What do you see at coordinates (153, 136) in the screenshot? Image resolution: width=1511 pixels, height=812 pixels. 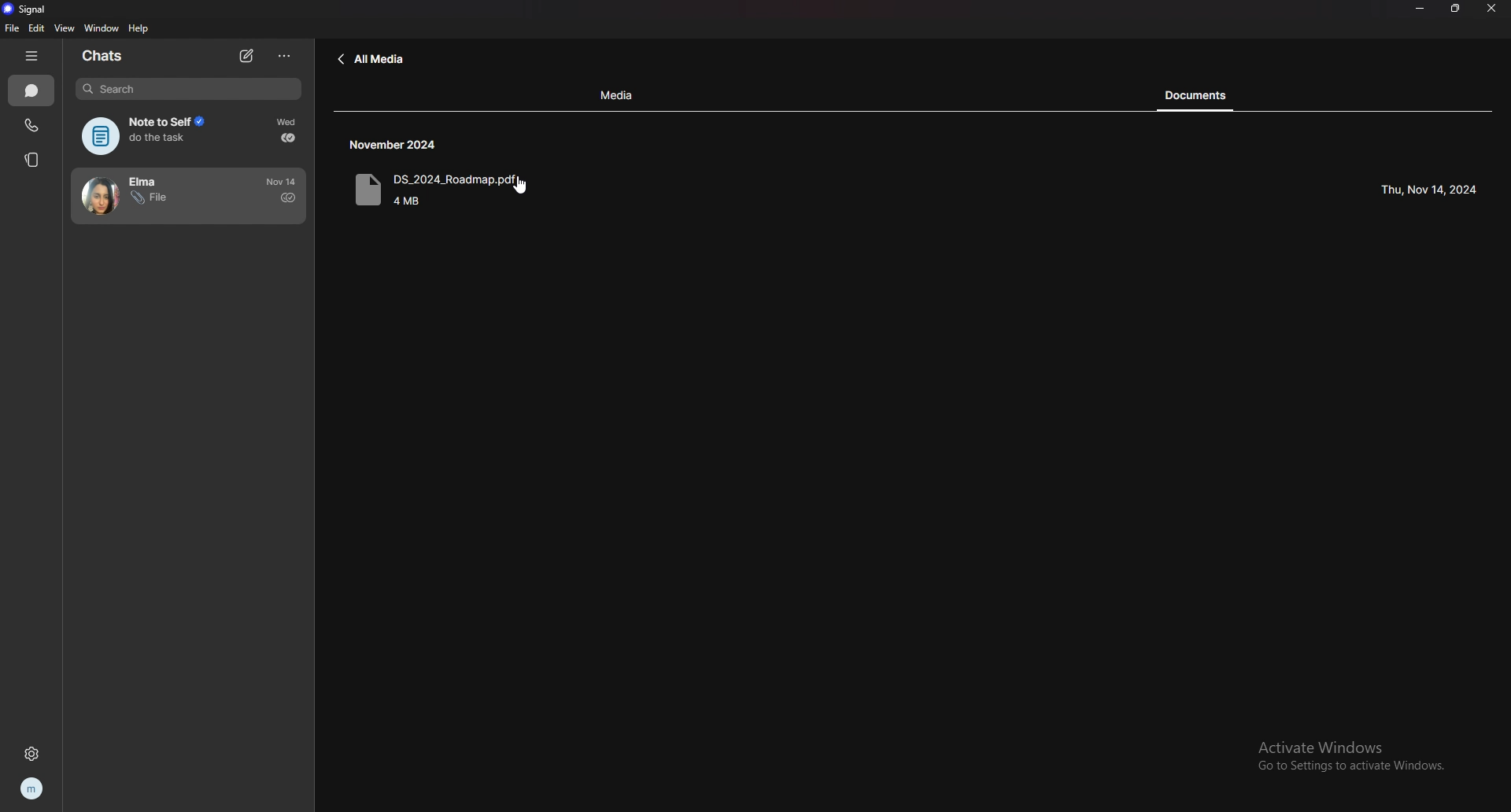 I see `note to self` at bounding box center [153, 136].